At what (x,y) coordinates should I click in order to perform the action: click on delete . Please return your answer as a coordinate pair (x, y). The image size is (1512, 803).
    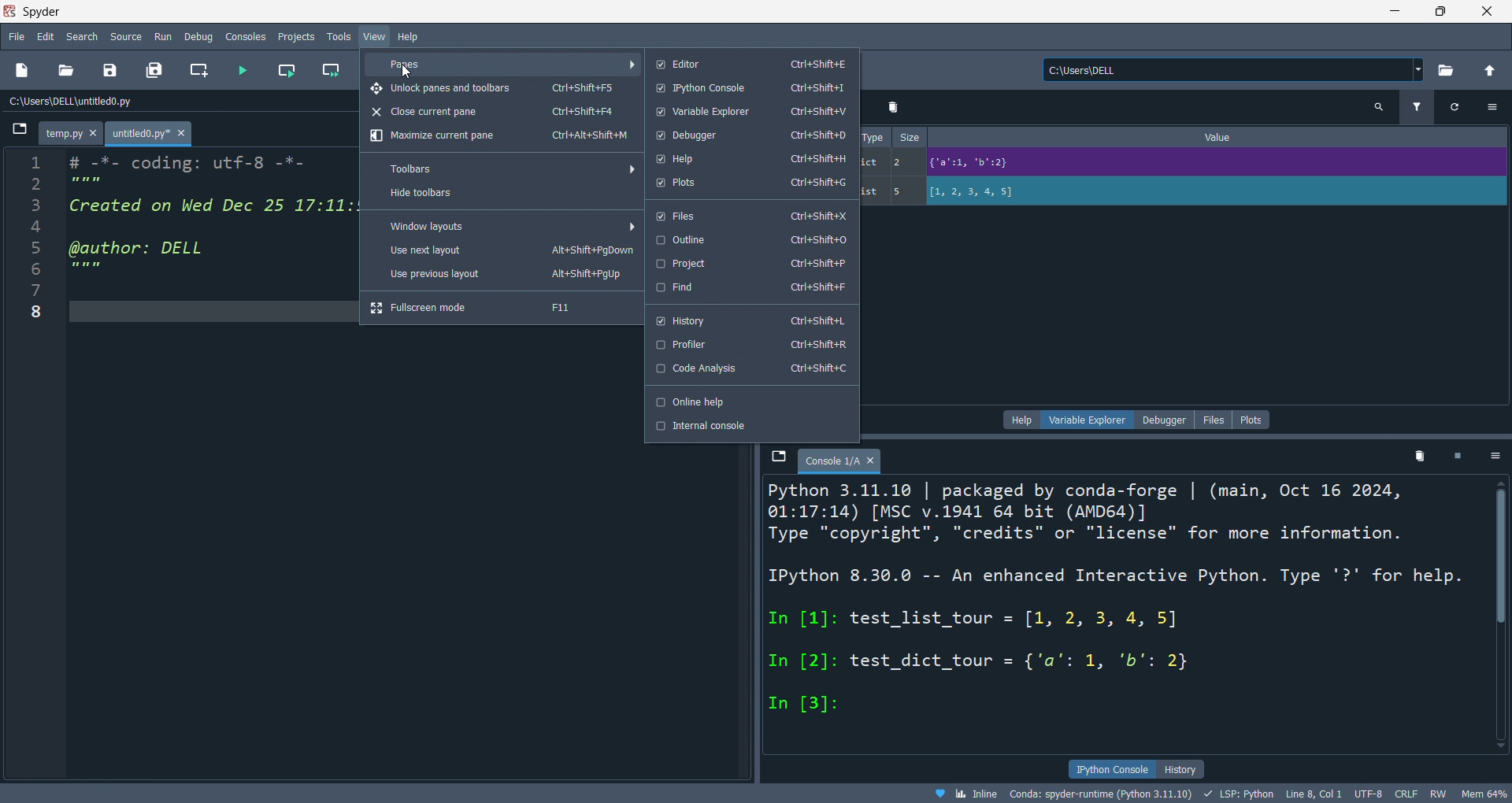
    Looking at the image, I should click on (1421, 460).